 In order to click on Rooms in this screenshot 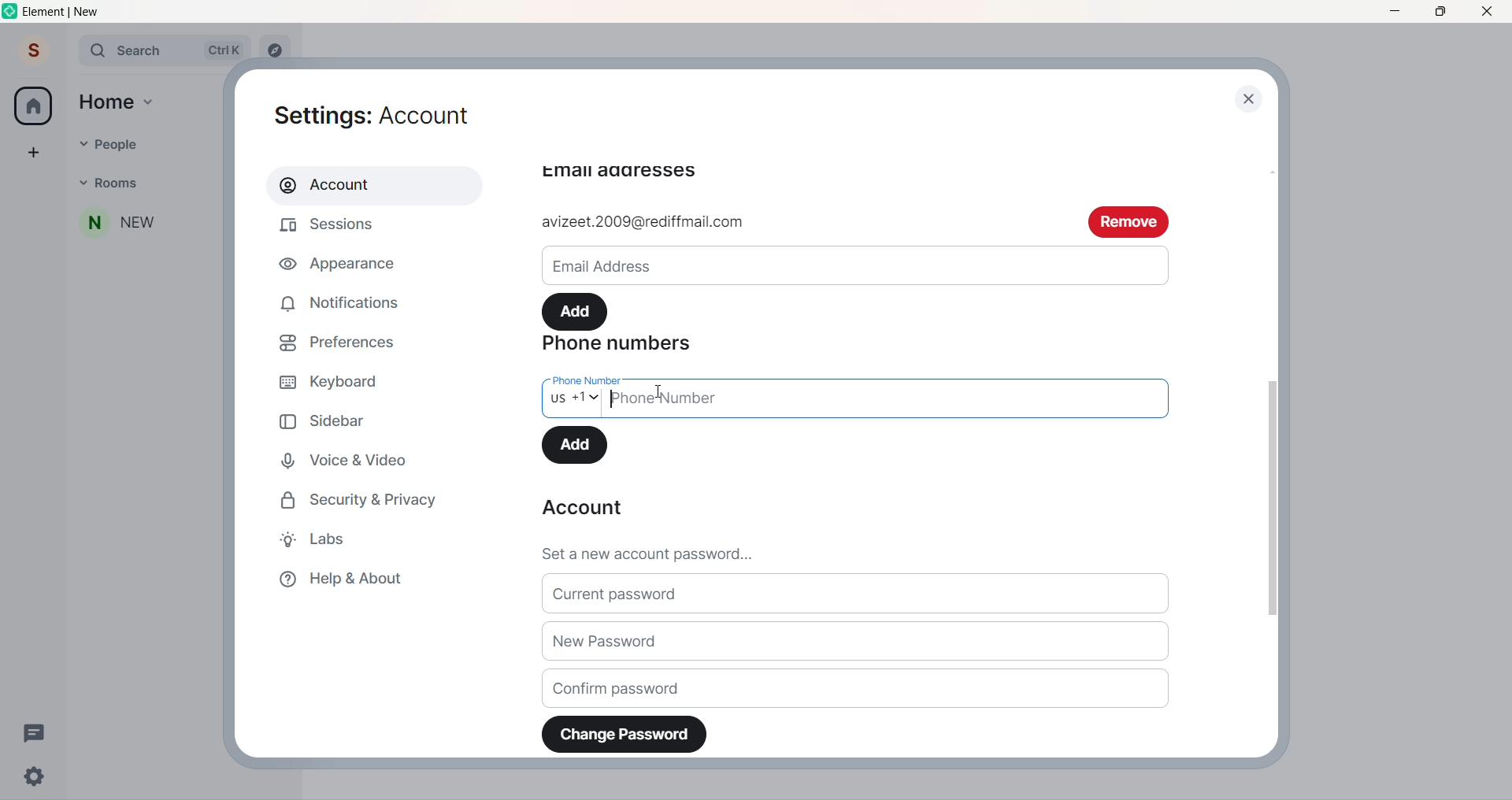, I will do `click(154, 183)`.